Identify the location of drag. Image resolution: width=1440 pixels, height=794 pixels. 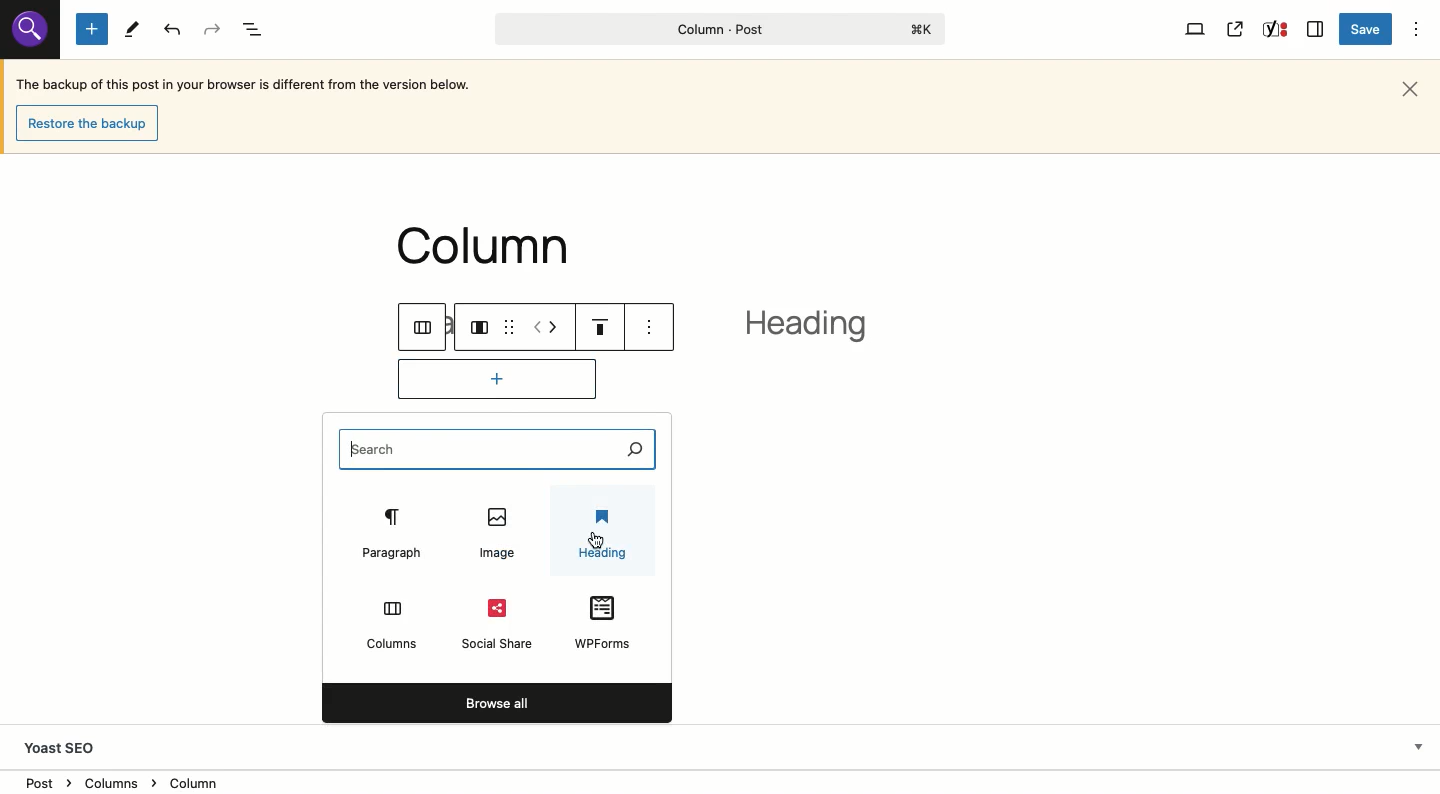
(509, 319).